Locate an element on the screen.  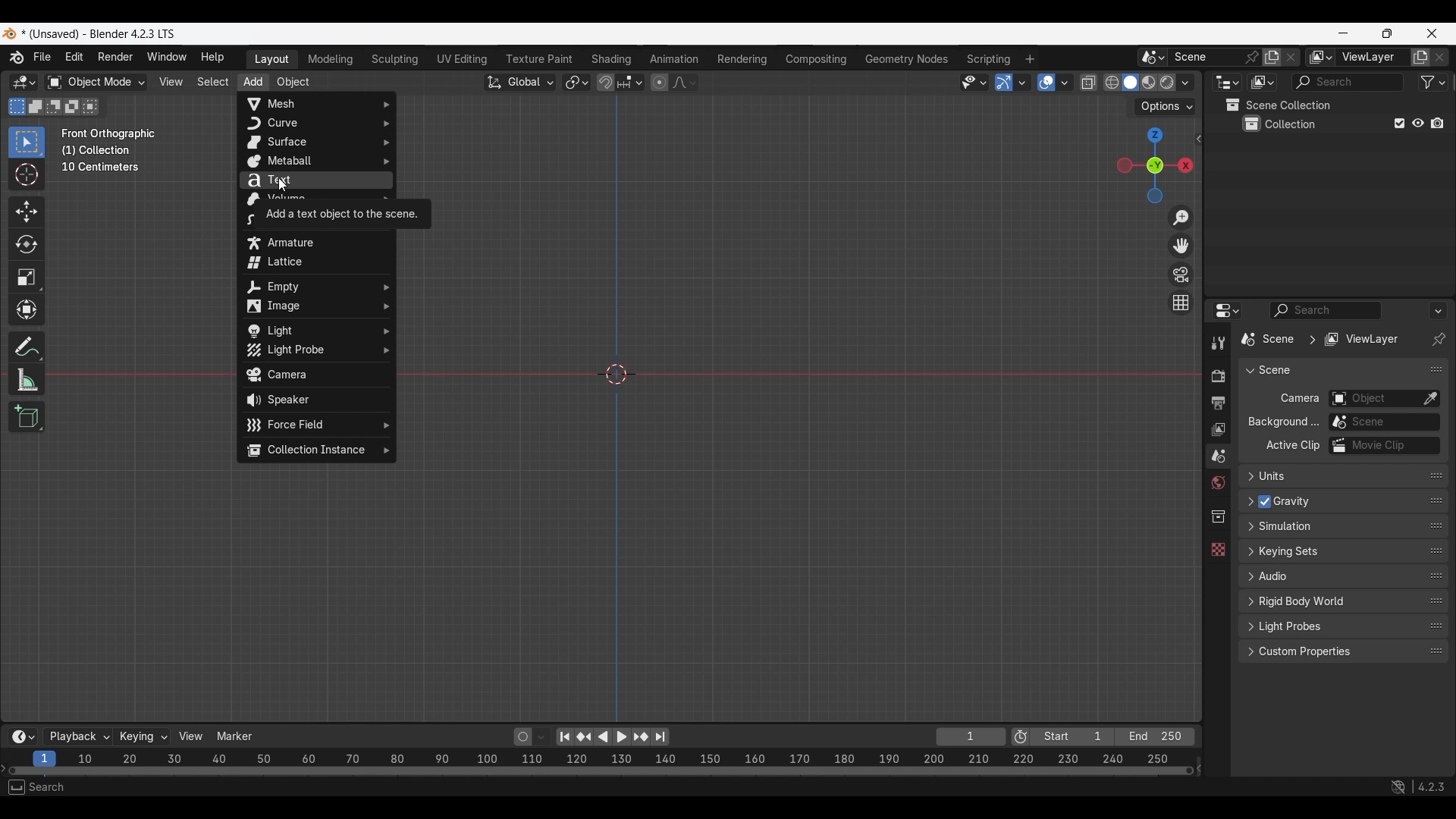
Snap during transform is located at coordinates (606, 82).